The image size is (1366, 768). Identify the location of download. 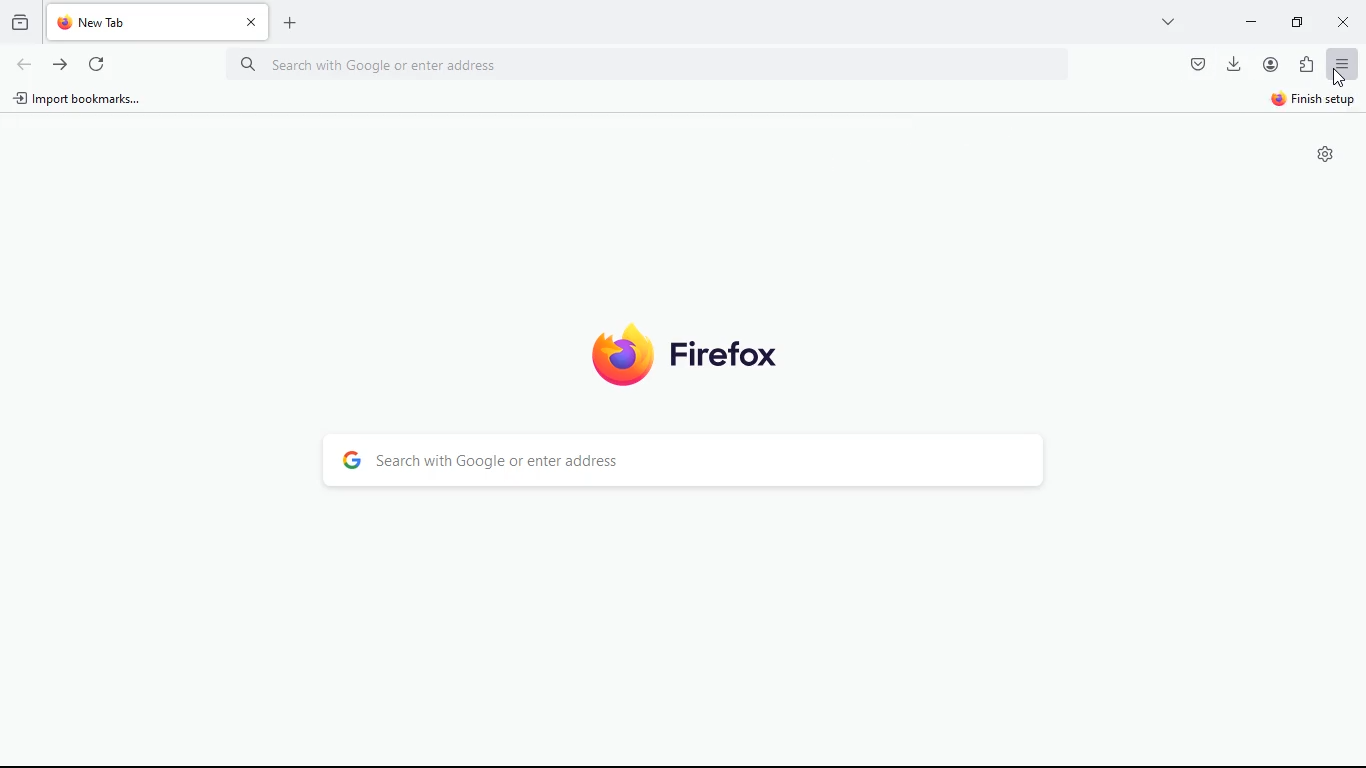
(1234, 62).